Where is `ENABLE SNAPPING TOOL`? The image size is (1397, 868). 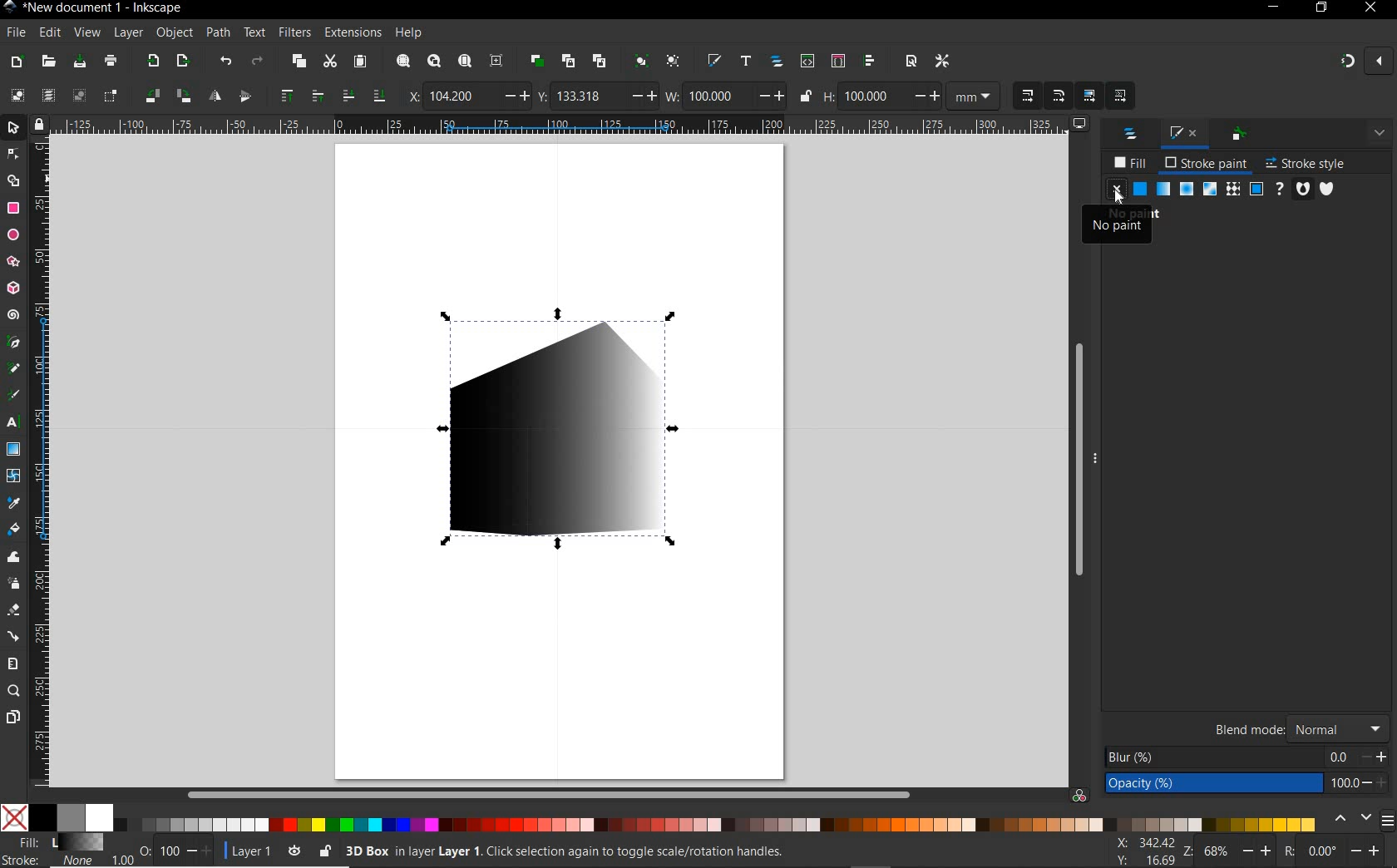 ENABLE SNAPPING TOOL is located at coordinates (1348, 62).